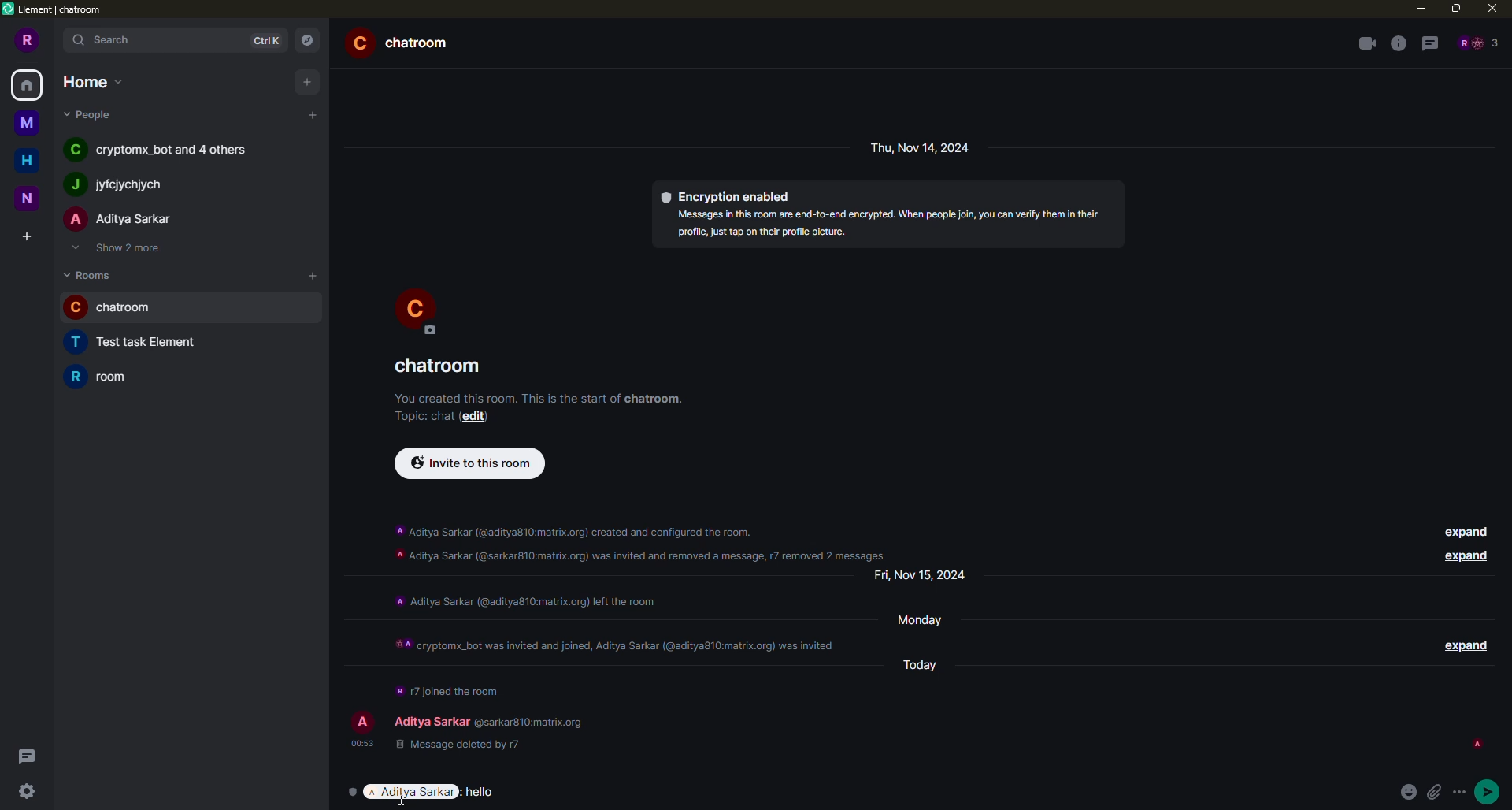 This screenshot has height=810, width=1512. What do you see at coordinates (27, 160) in the screenshot?
I see `home` at bounding box center [27, 160].